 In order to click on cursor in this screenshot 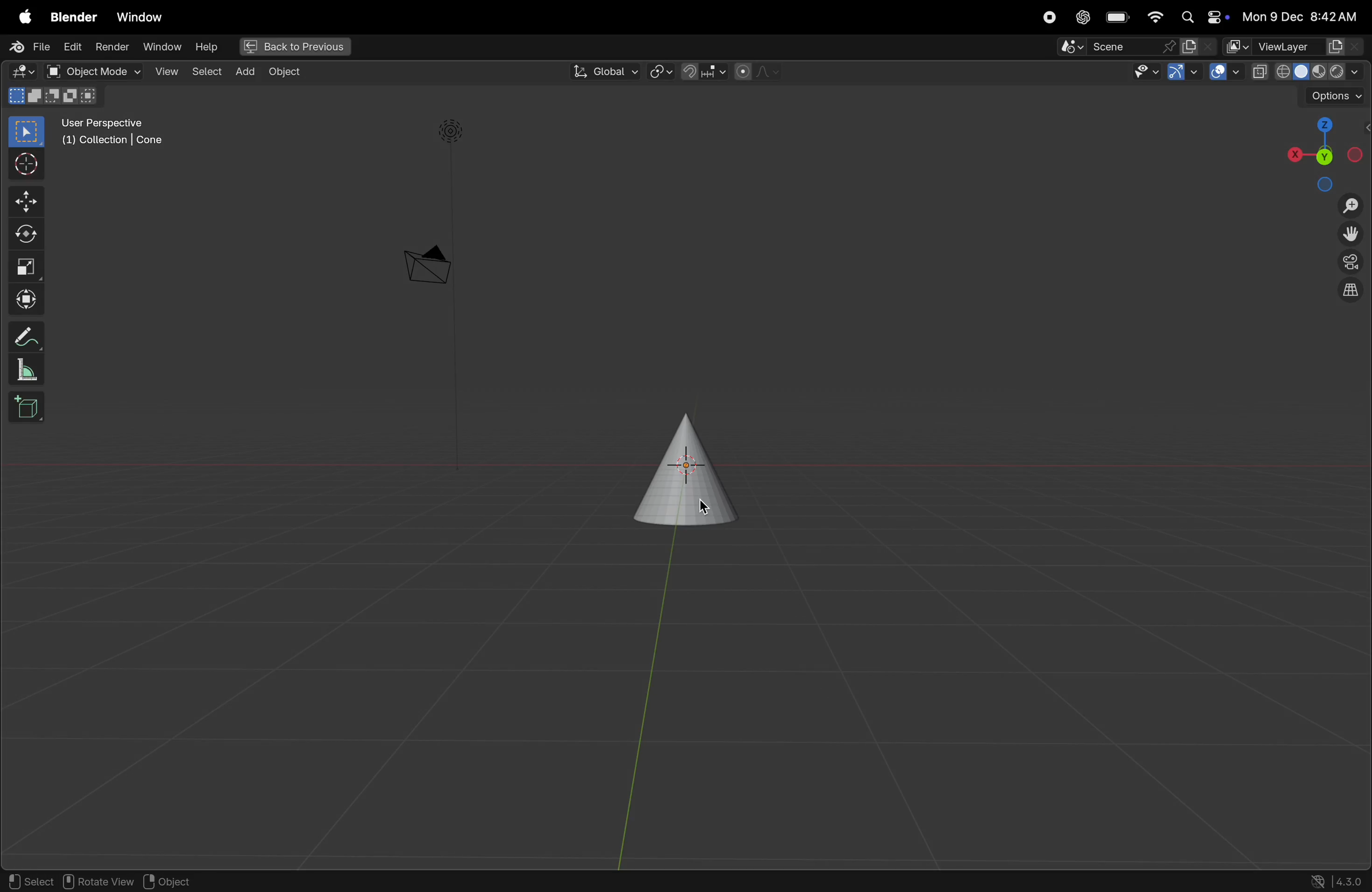, I will do `click(22, 164)`.